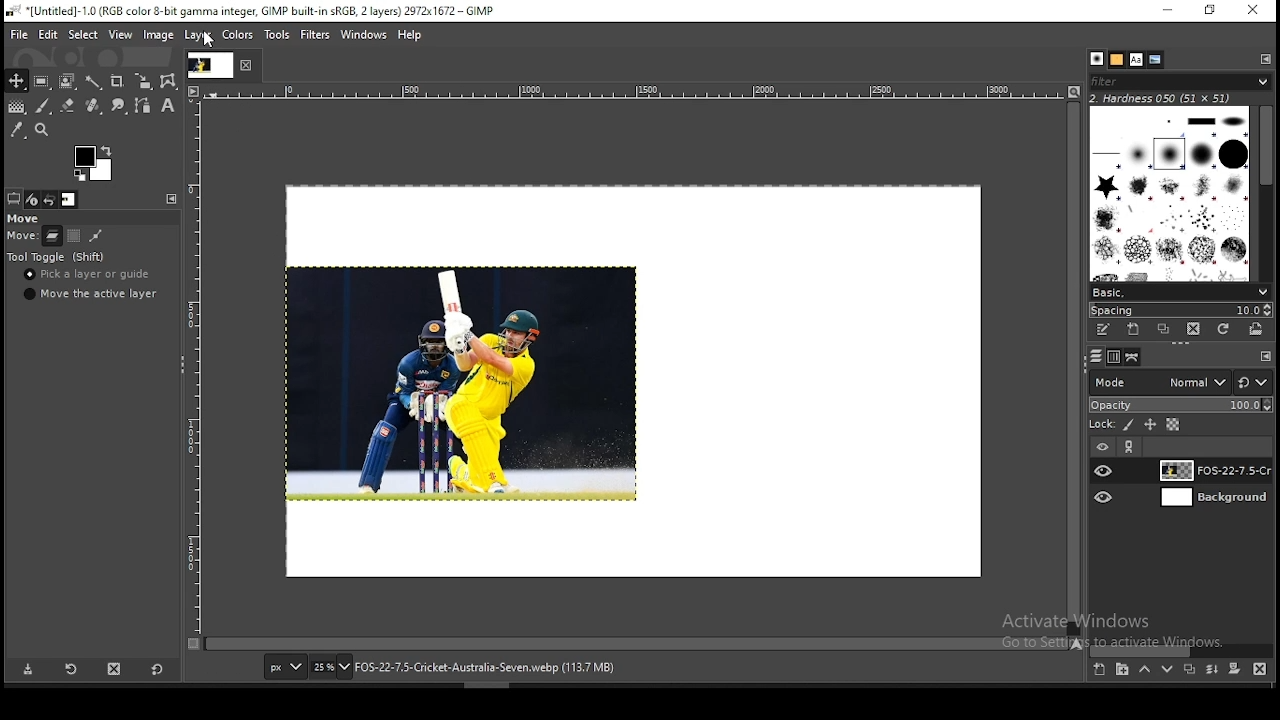 The image size is (1280, 720). What do you see at coordinates (1211, 10) in the screenshot?
I see `Maximise ` at bounding box center [1211, 10].